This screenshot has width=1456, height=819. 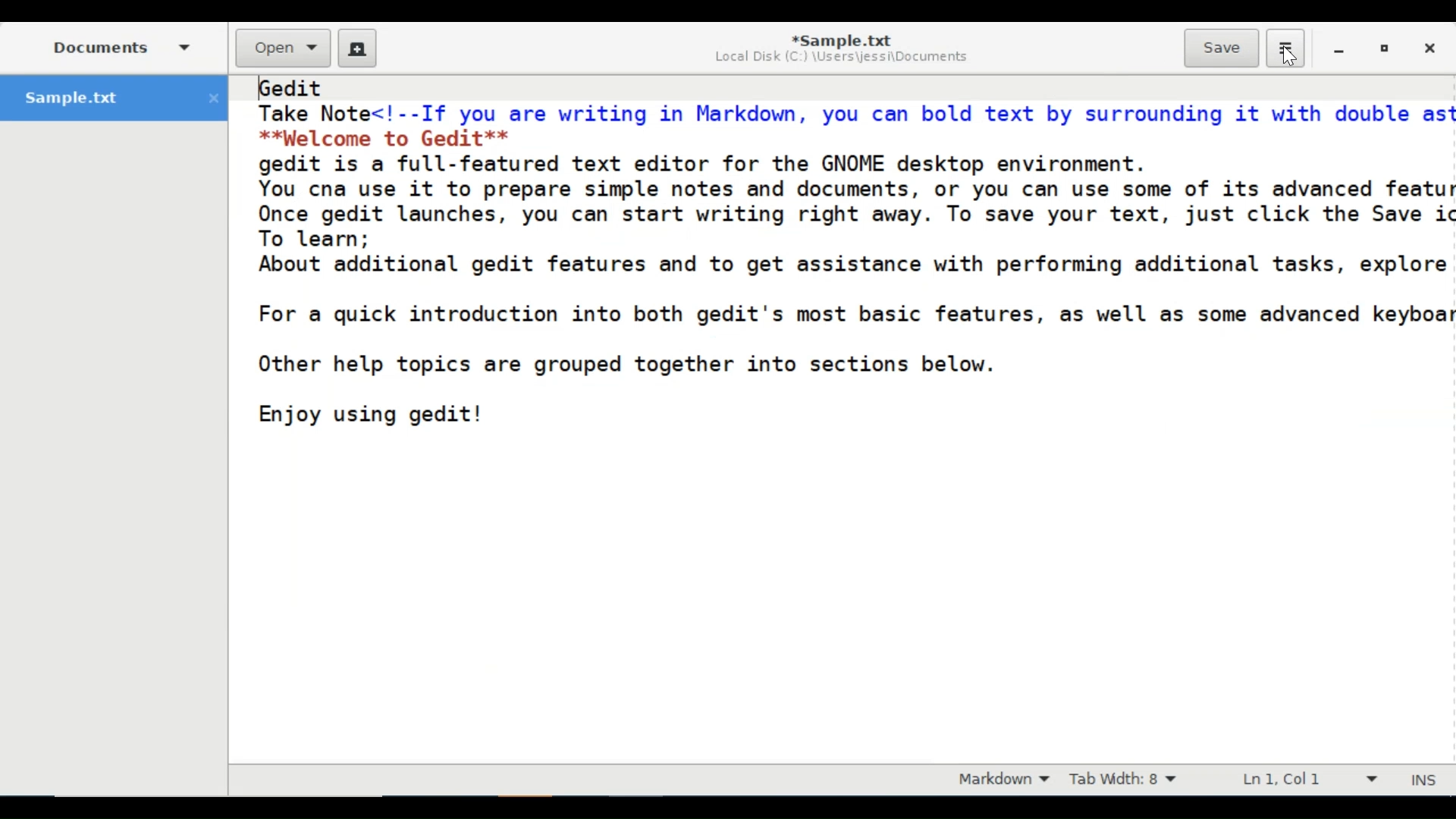 I want to click on Save, so click(x=1221, y=48).